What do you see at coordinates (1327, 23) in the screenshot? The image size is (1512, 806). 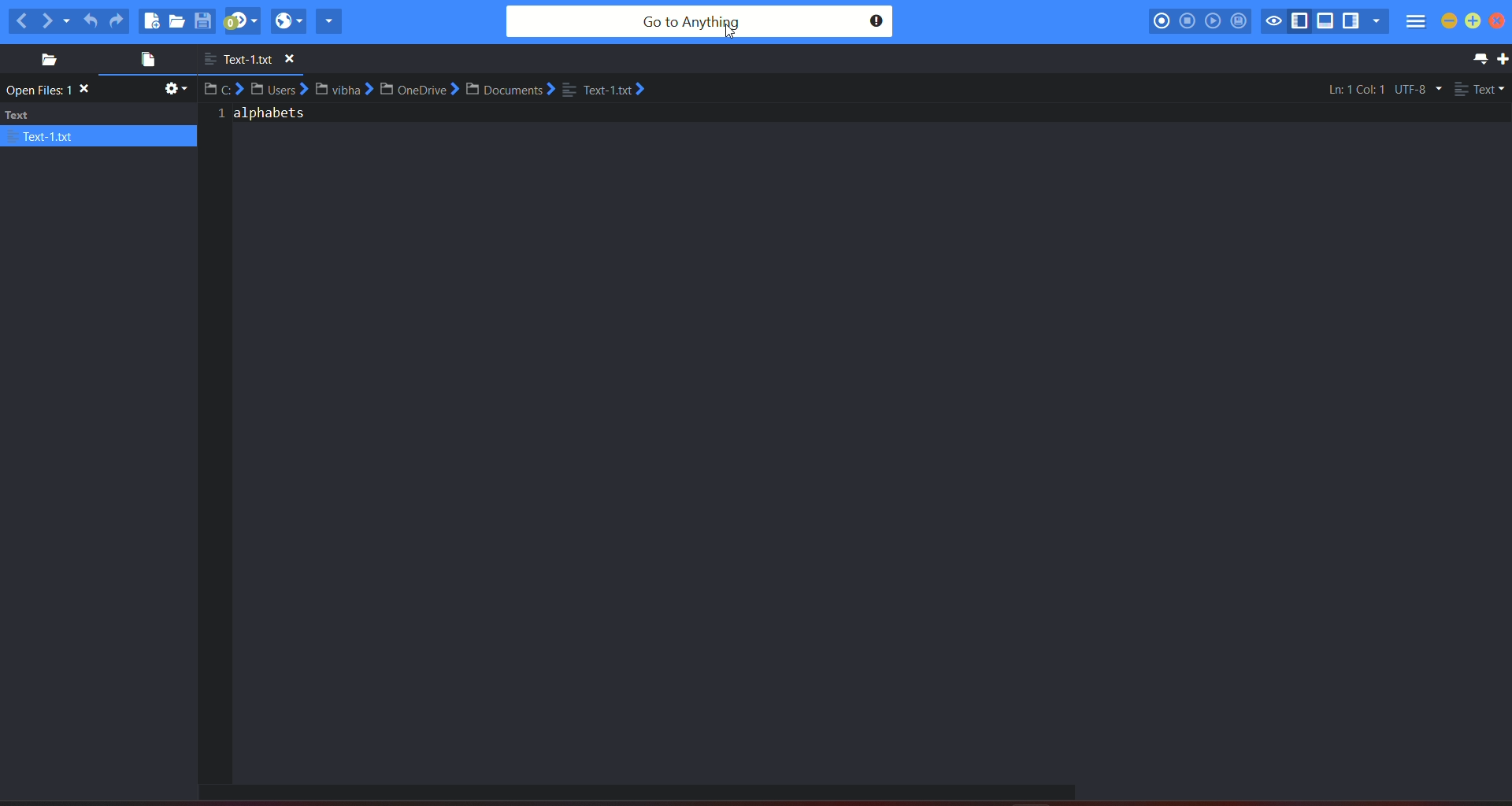 I see `show/hide bottom pane` at bounding box center [1327, 23].